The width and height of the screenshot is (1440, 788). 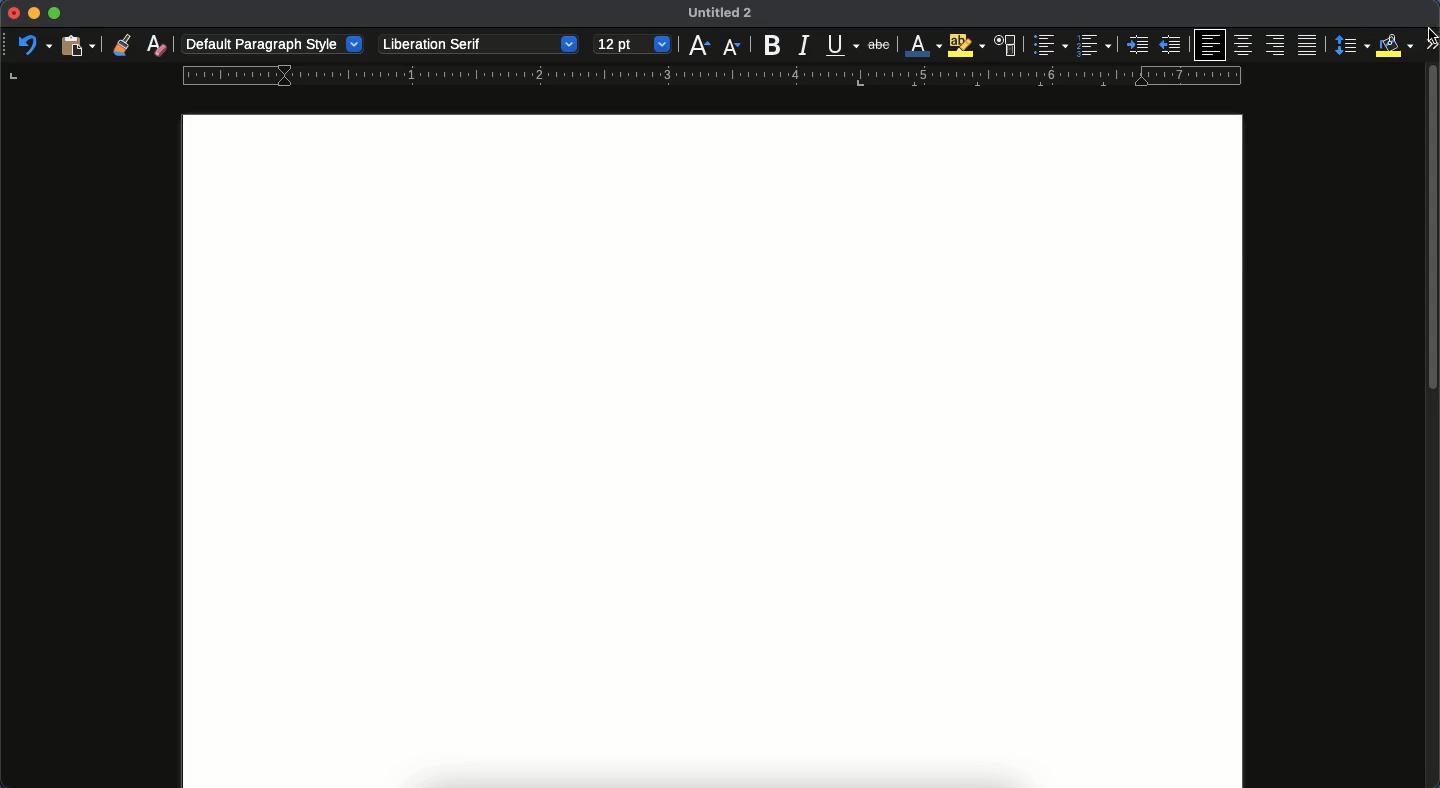 I want to click on unident, so click(x=1168, y=46).